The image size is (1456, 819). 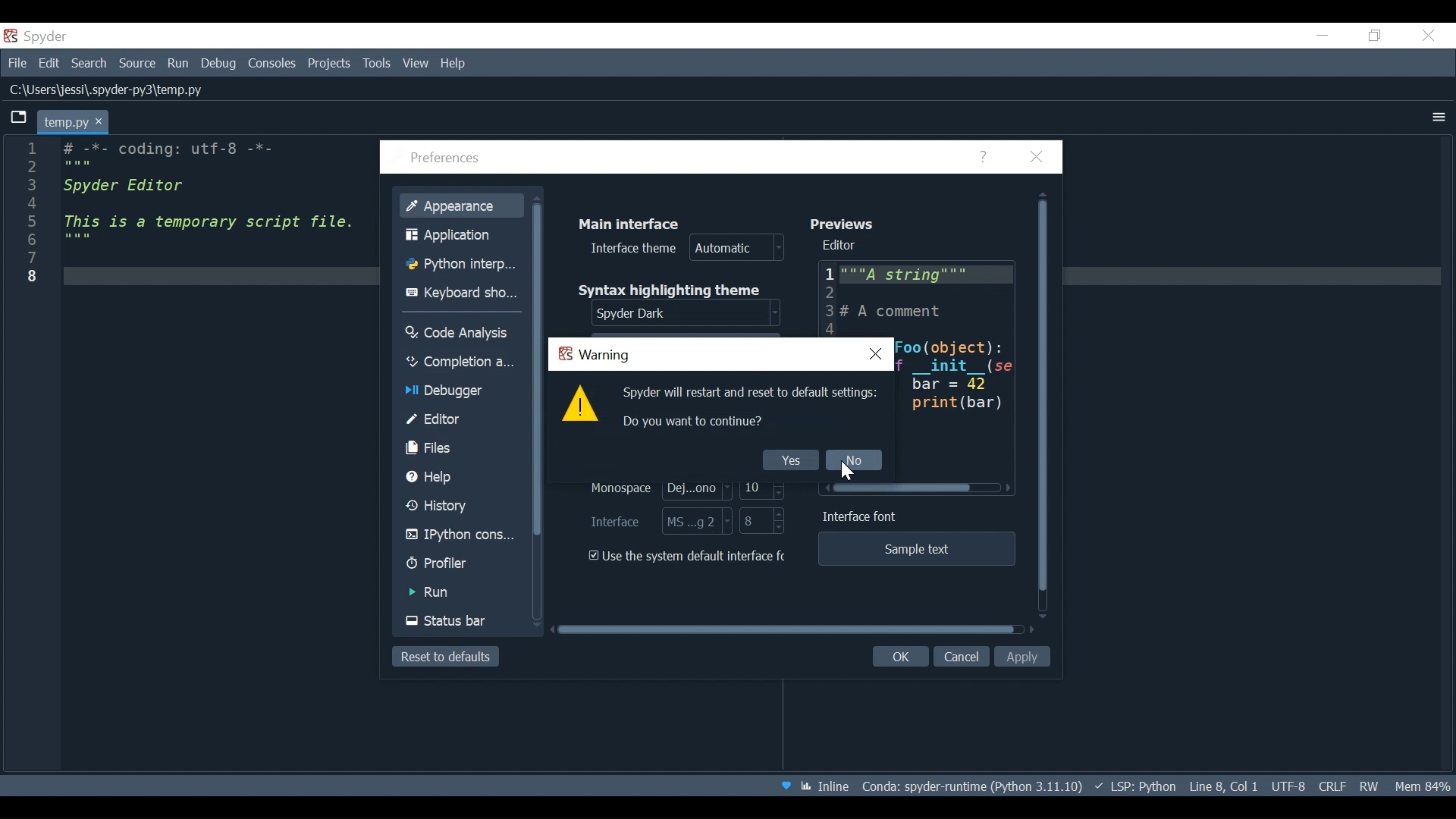 I want to click on File Path, so click(x=108, y=91).